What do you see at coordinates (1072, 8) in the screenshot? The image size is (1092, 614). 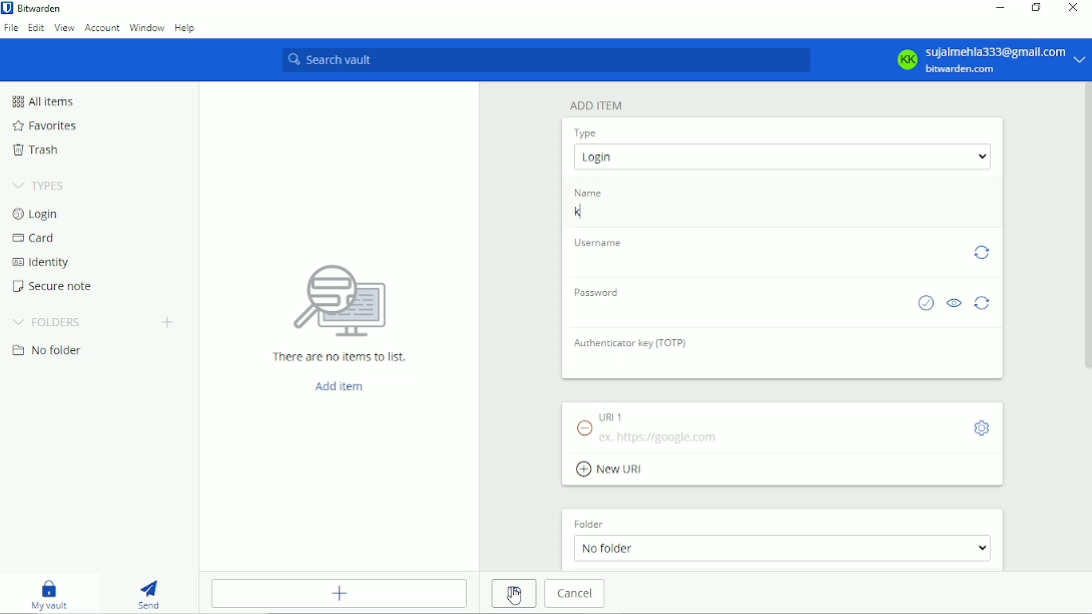 I see `Close` at bounding box center [1072, 8].